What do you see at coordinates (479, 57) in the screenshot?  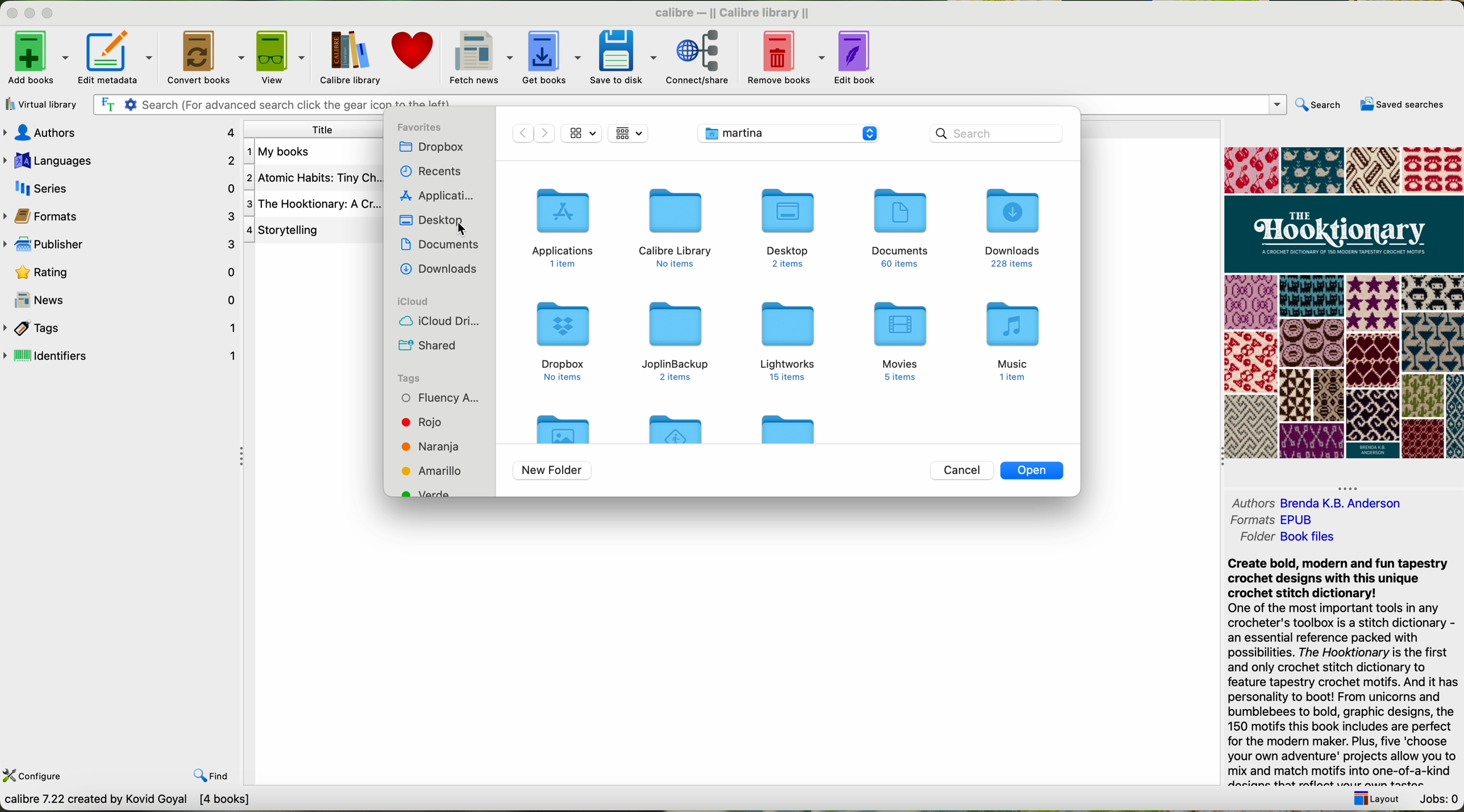 I see `fetch news` at bounding box center [479, 57].